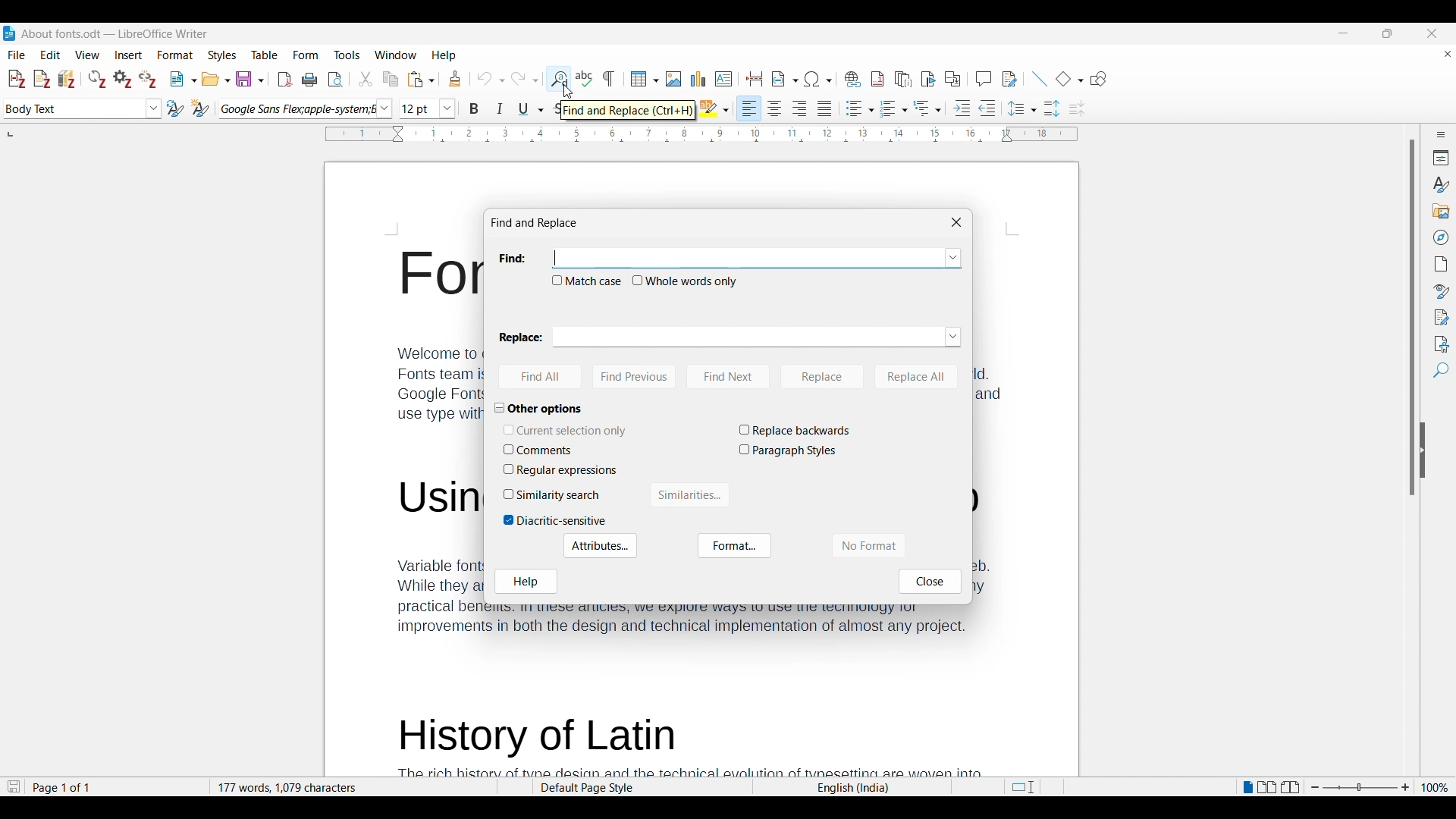  Describe the element at coordinates (747, 259) in the screenshot. I see `Enter text to find` at that location.